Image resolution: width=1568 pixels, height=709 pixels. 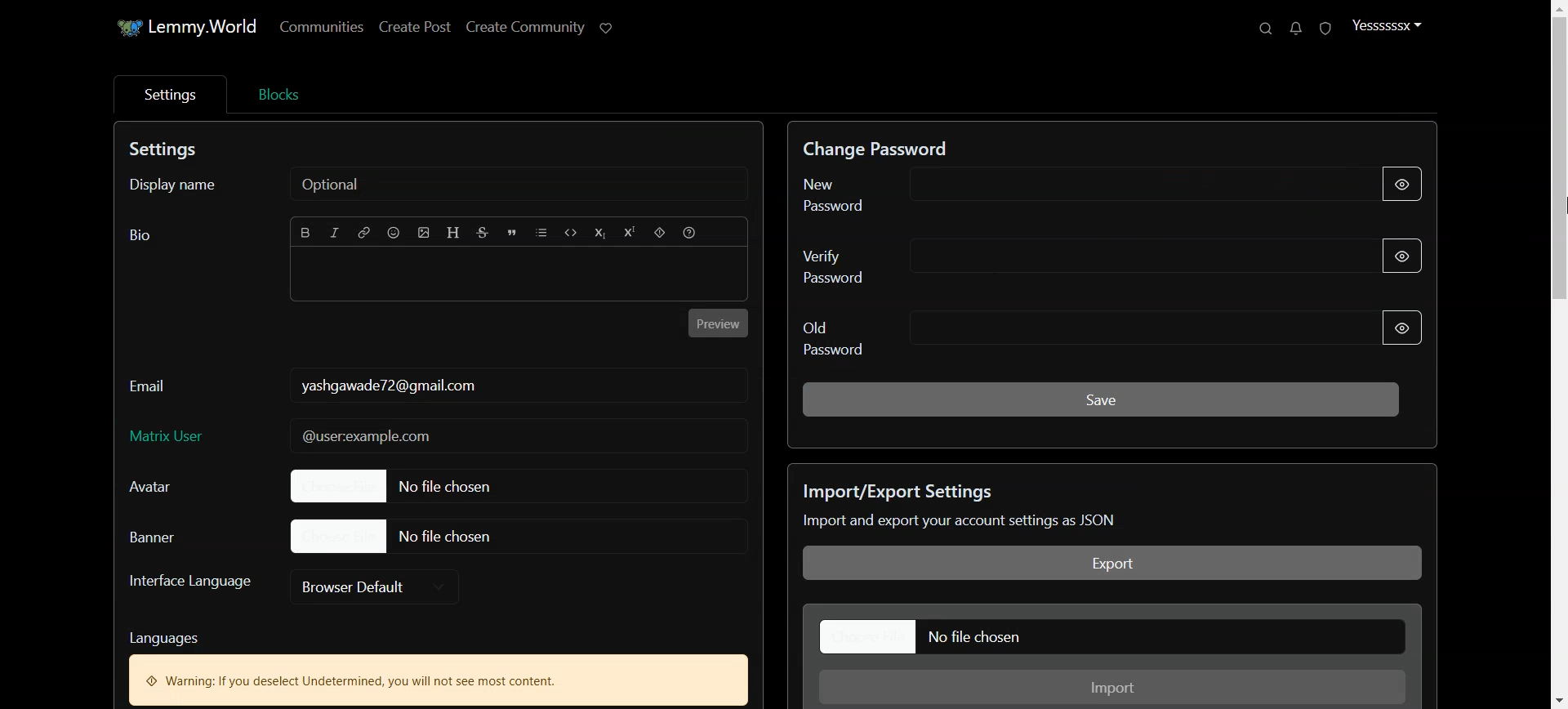 What do you see at coordinates (1296, 28) in the screenshot?
I see `Unread message` at bounding box center [1296, 28].